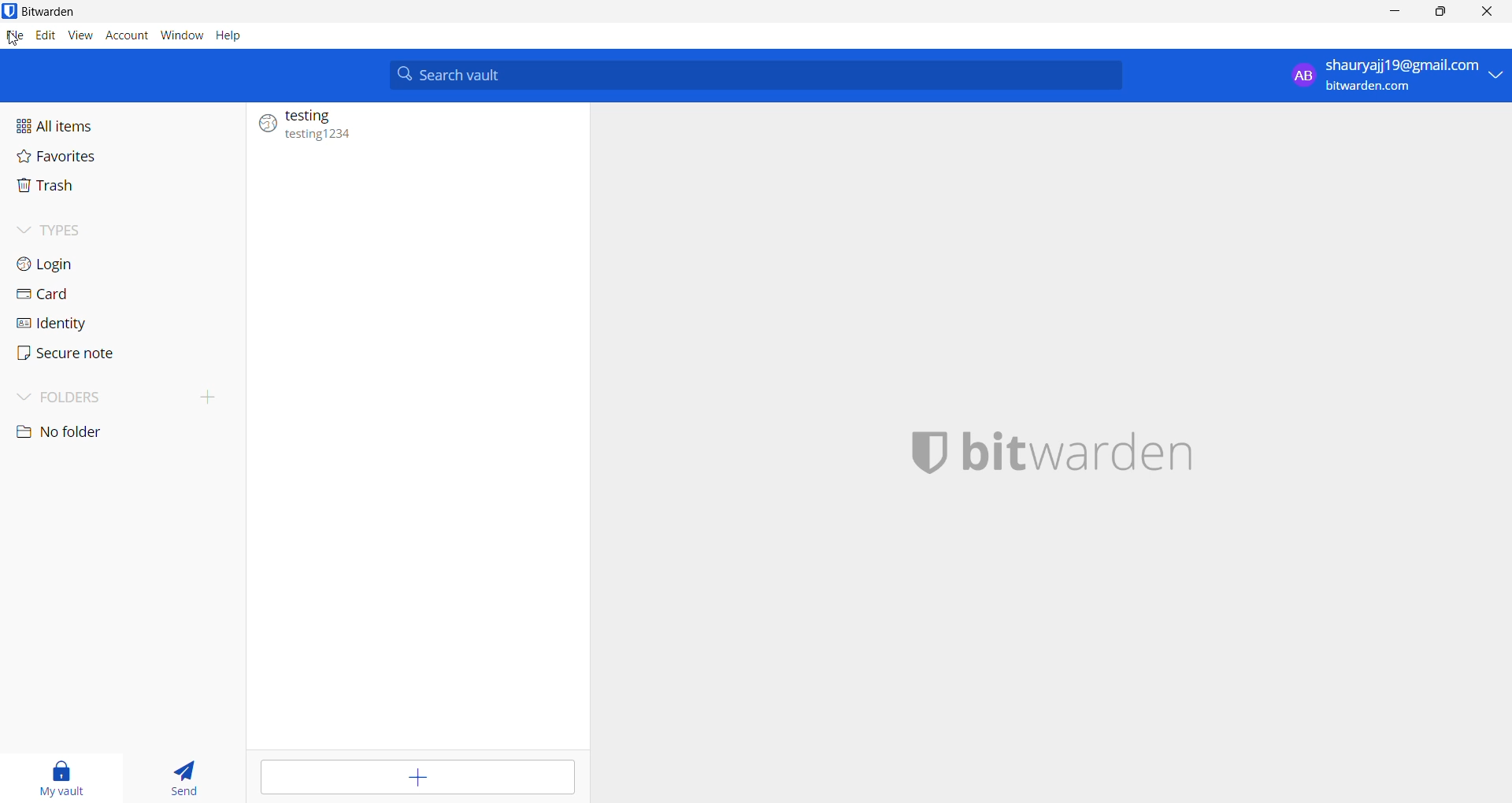  What do you see at coordinates (414, 126) in the screenshot?
I see `testing (entry )` at bounding box center [414, 126].